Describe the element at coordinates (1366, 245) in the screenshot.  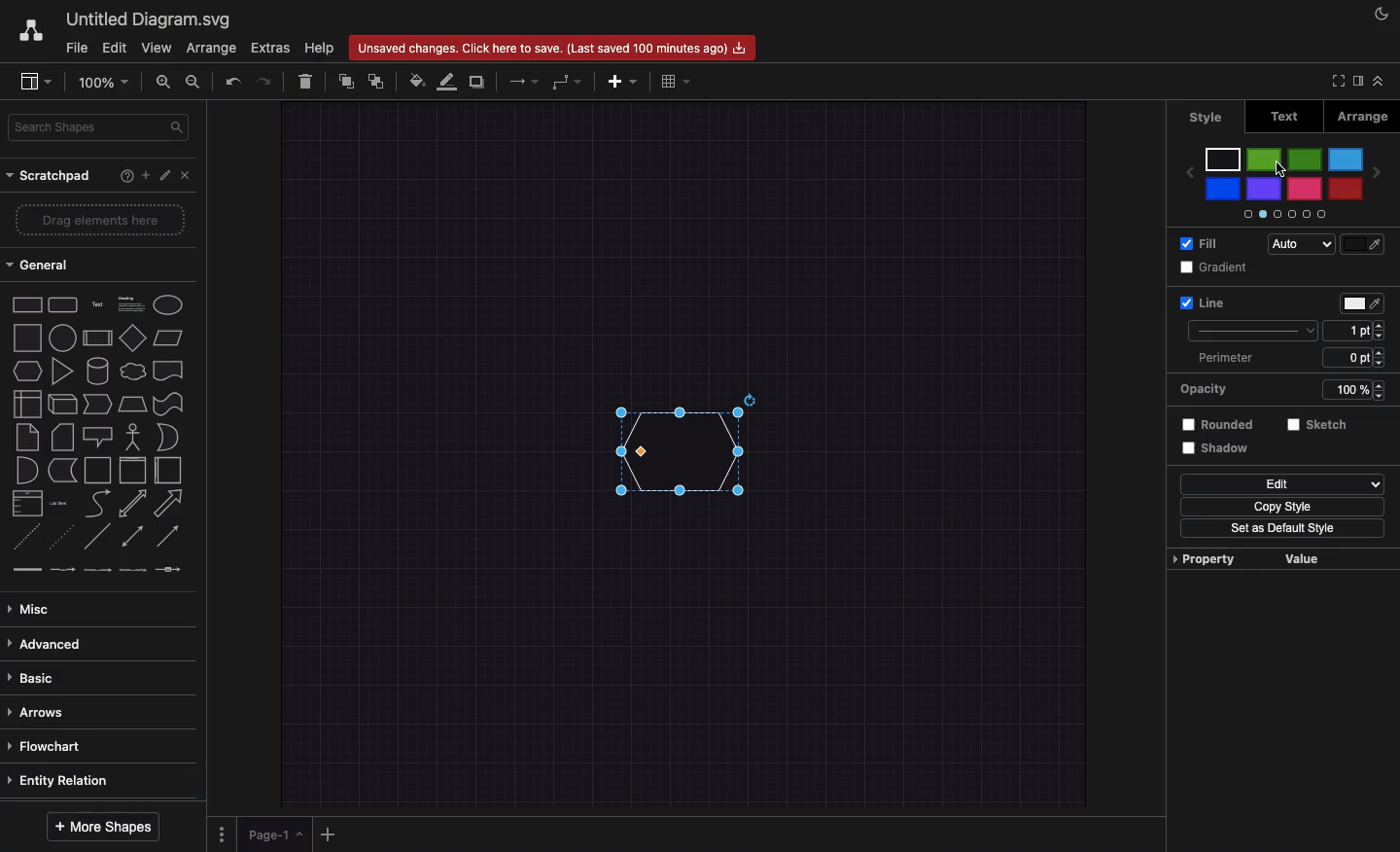
I see `colorfill` at that location.